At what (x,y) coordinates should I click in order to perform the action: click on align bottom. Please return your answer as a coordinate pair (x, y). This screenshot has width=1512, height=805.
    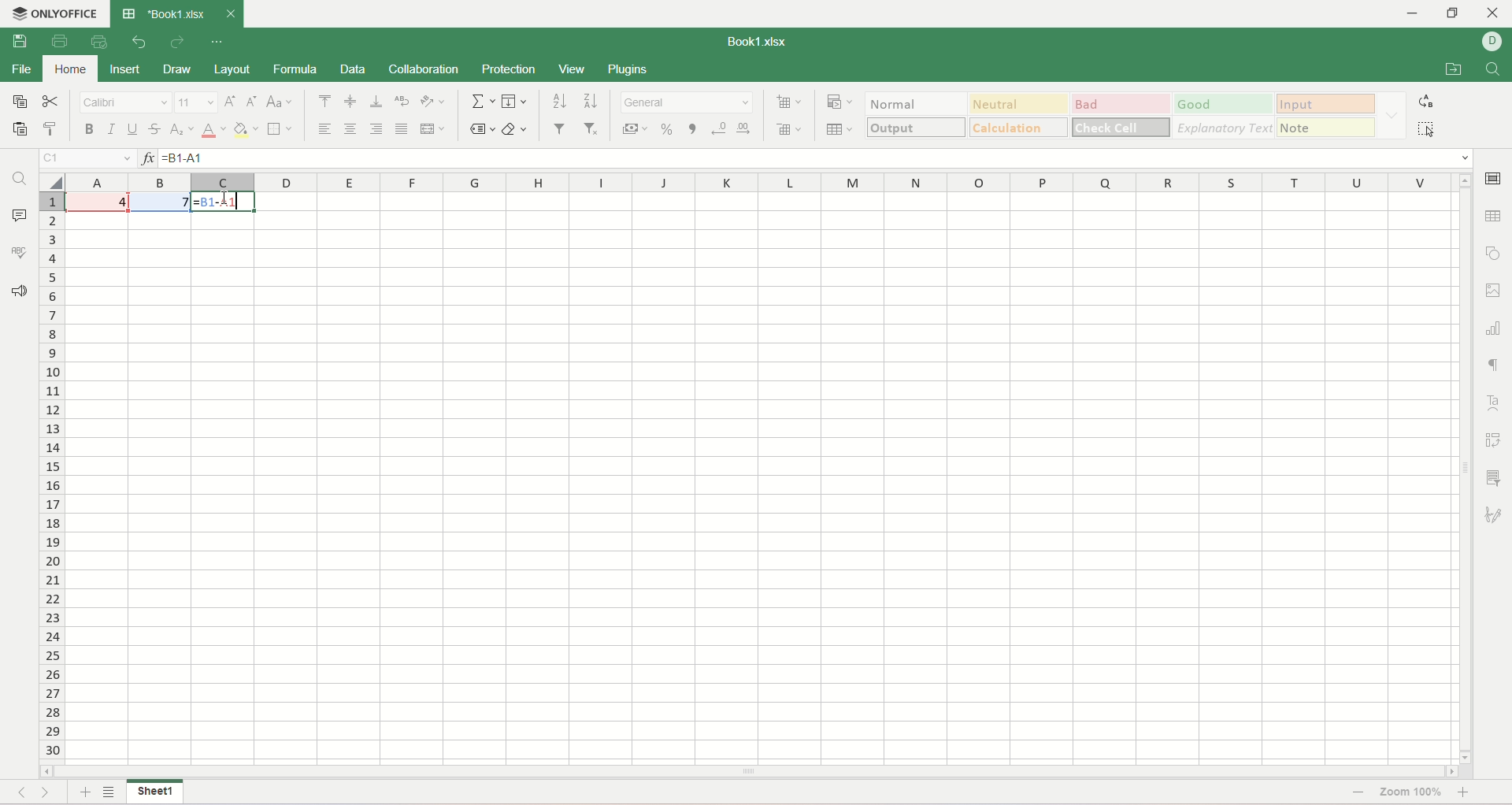
    Looking at the image, I should click on (376, 102).